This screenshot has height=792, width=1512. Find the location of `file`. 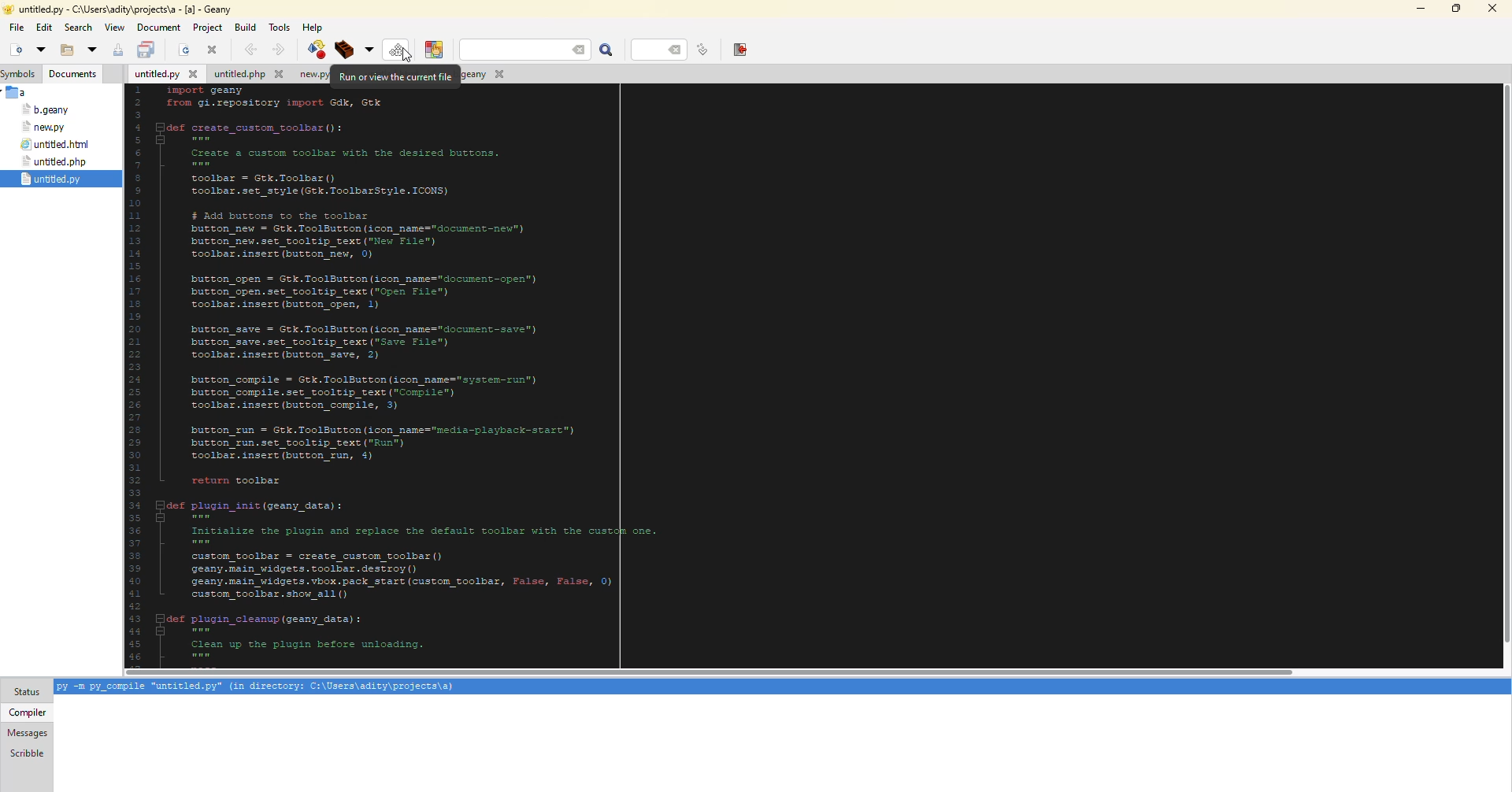

file is located at coordinates (46, 109).